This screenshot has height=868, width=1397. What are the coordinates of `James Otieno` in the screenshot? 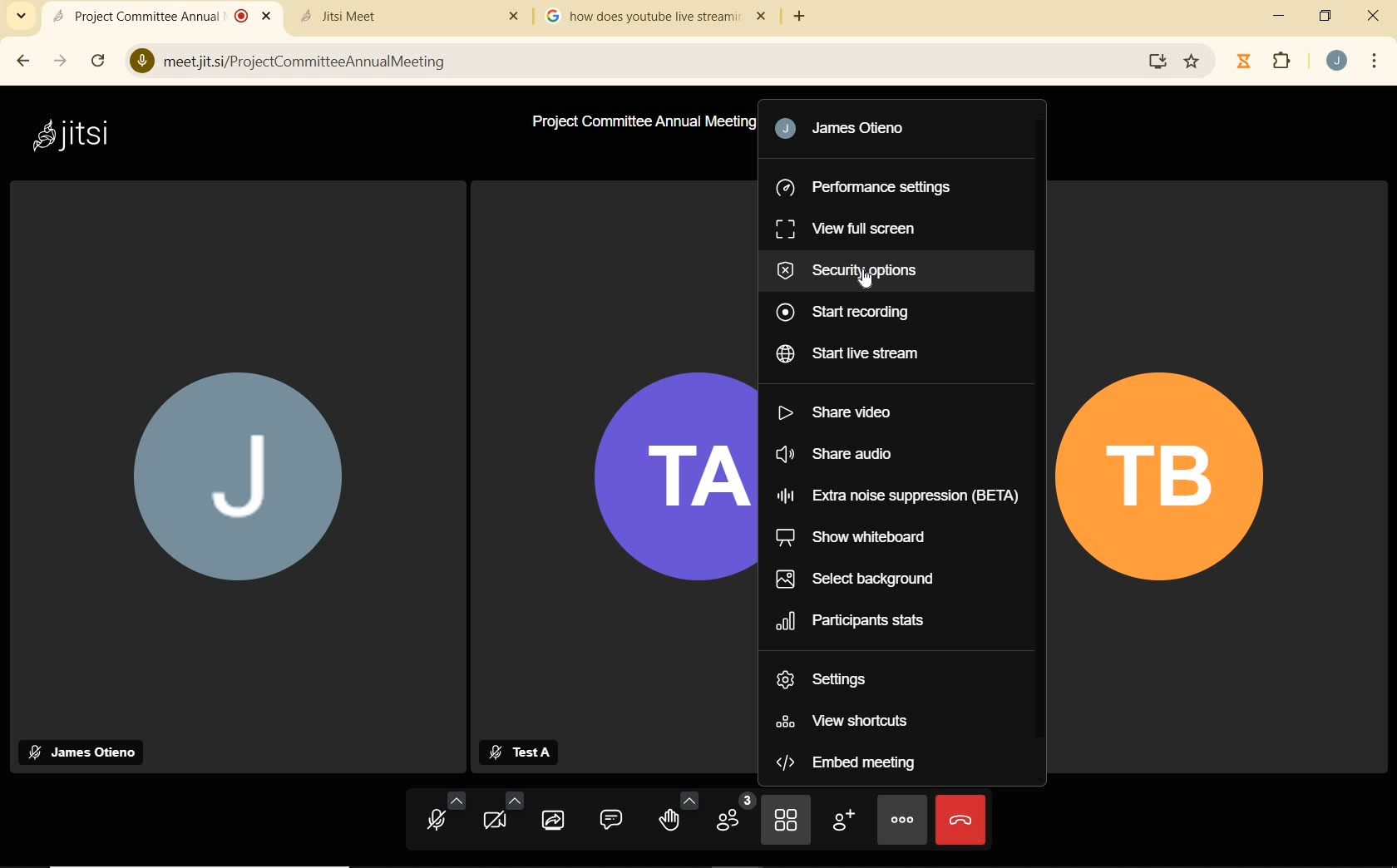 It's located at (85, 750).